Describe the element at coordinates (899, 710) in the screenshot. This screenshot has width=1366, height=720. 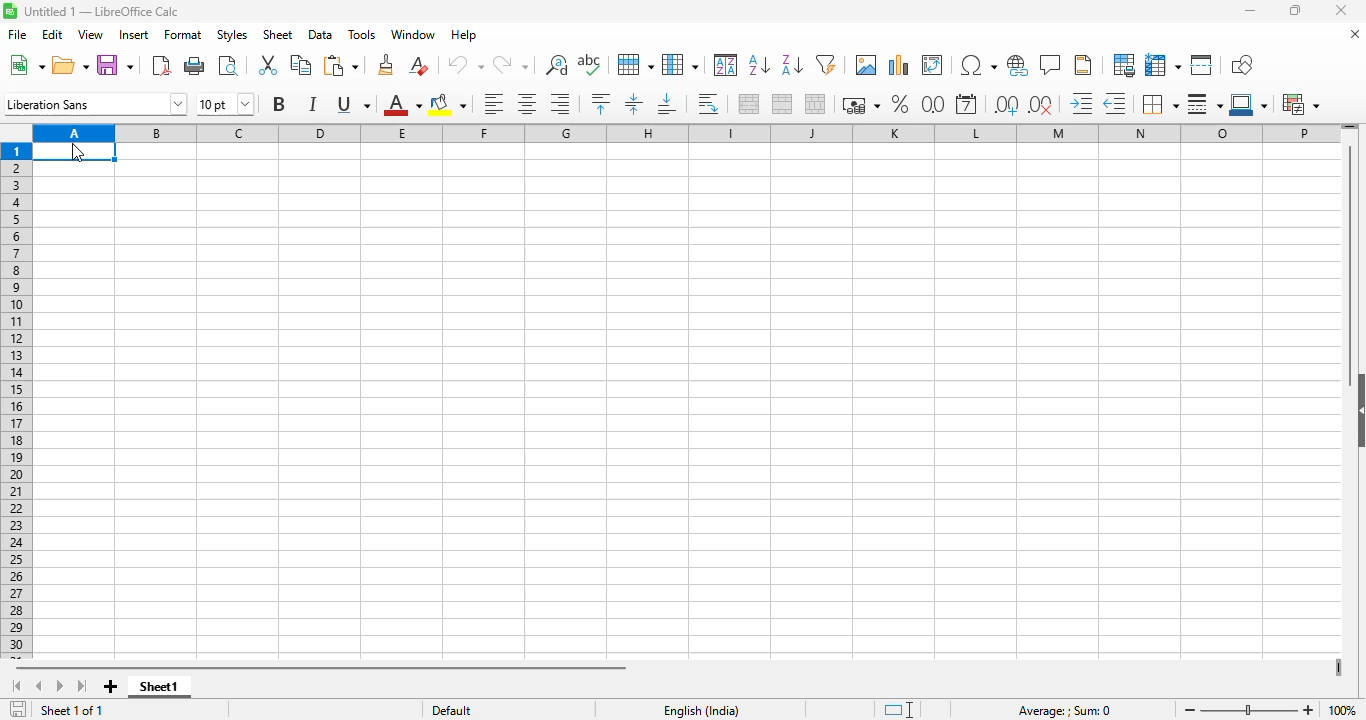
I see `standard selection` at that location.